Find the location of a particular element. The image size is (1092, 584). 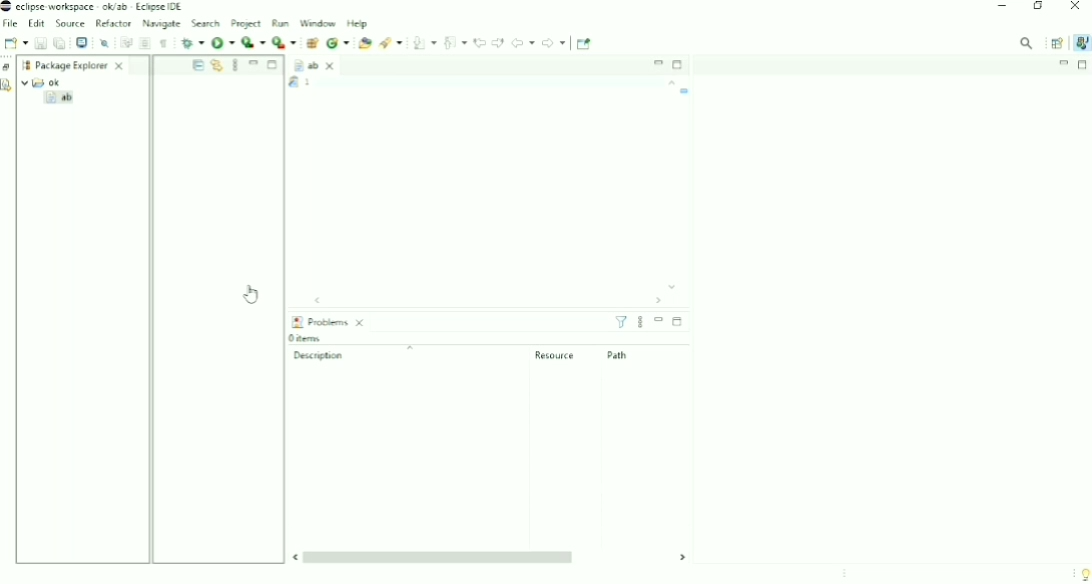

Edit is located at coordinates (36, 23).